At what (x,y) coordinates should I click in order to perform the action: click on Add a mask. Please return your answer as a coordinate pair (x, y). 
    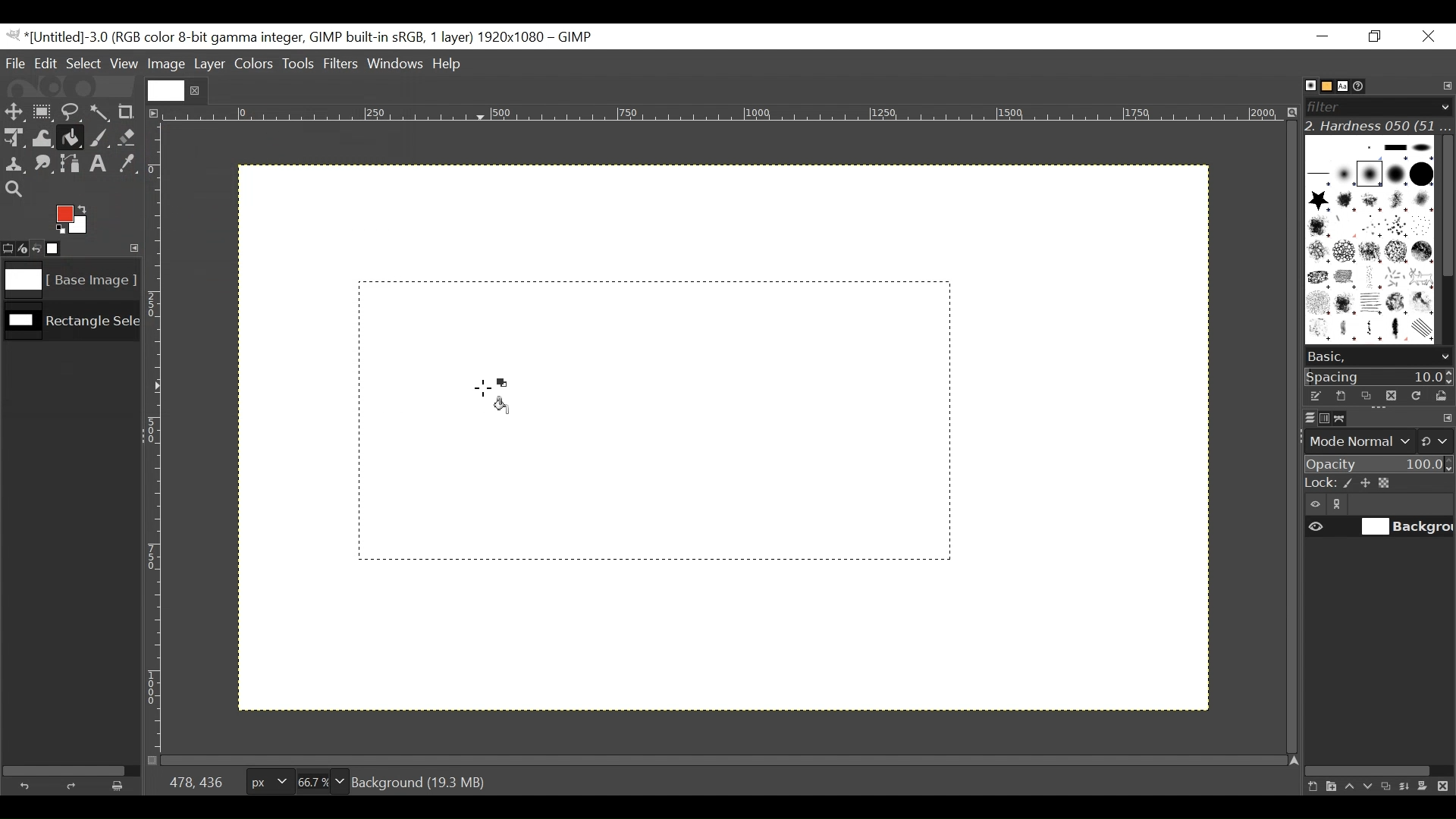
    Looking at the image, I should click on (1427, 789).